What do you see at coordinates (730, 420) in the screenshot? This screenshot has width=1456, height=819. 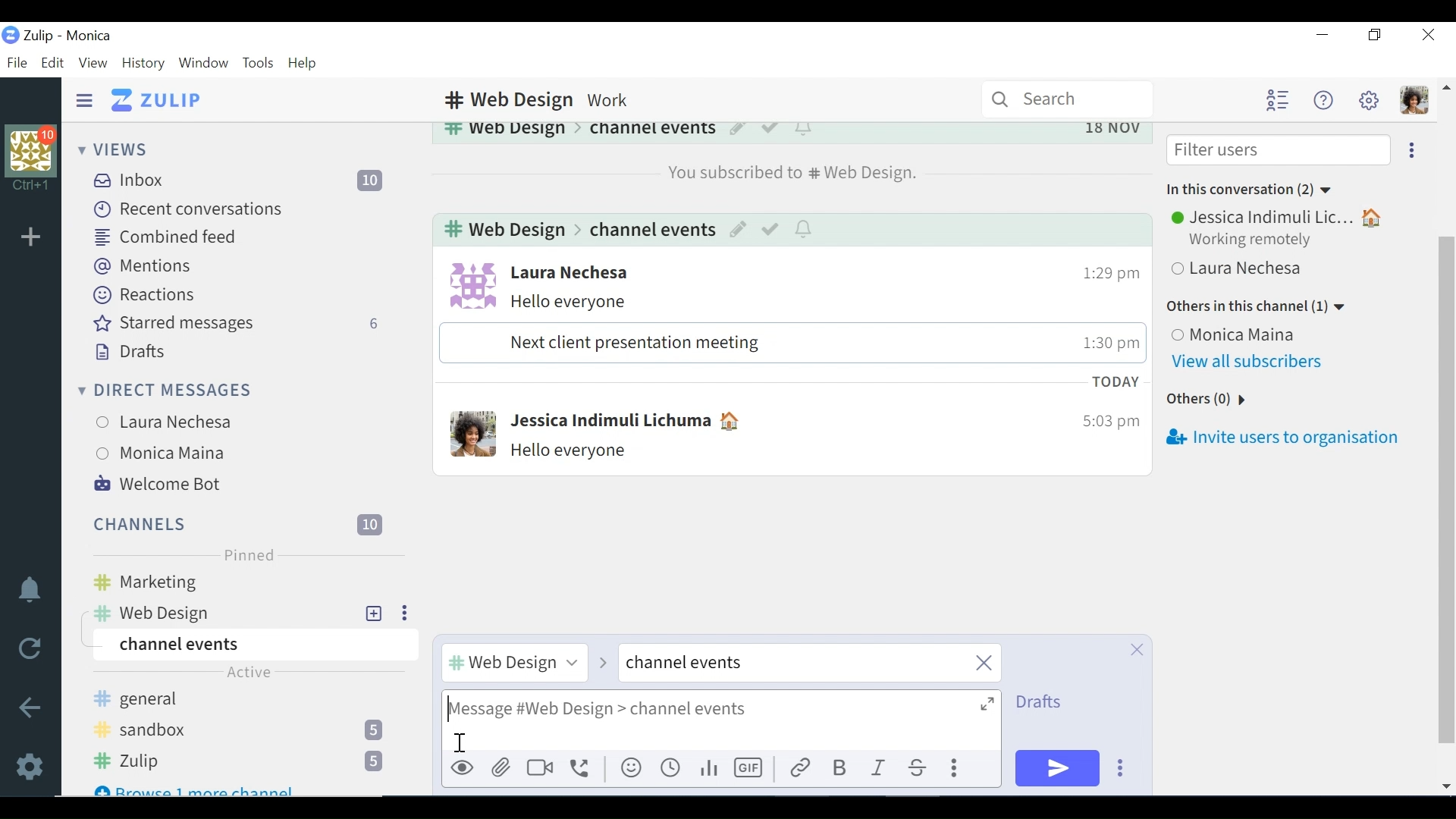 I see `Status` at bounding box center [730, 420].